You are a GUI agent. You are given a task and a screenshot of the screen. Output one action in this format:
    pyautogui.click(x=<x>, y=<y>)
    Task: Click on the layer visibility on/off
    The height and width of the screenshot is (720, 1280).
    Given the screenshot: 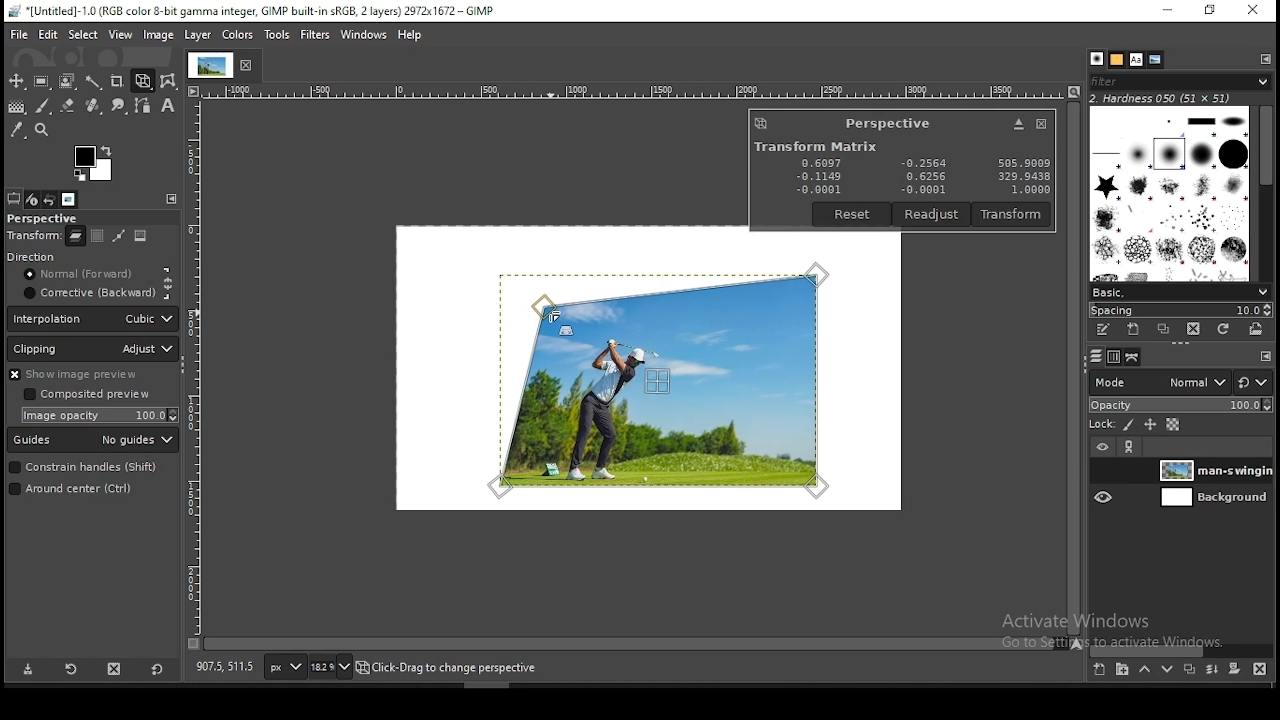 What is the action you would take?
    pyautogui.click(x=1103, y=471)
    